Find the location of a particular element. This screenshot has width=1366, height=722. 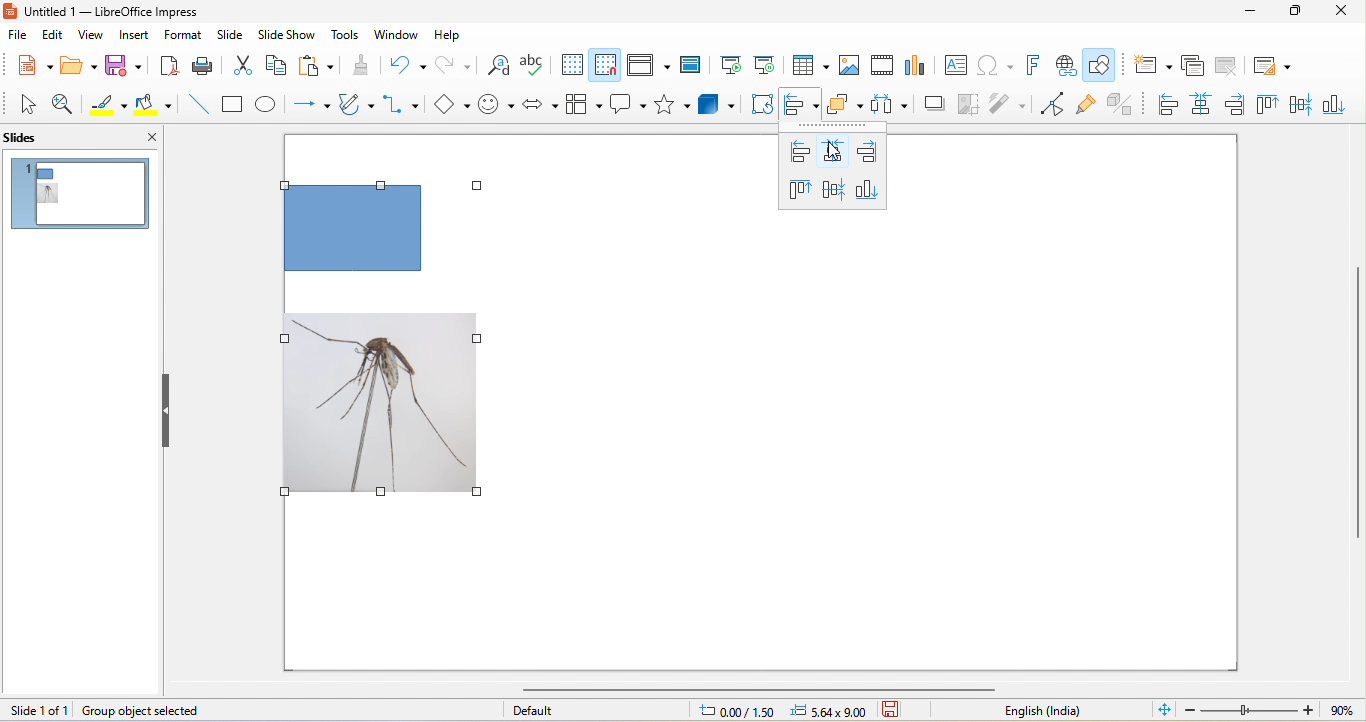

close is located at coordinates (1336, 13).